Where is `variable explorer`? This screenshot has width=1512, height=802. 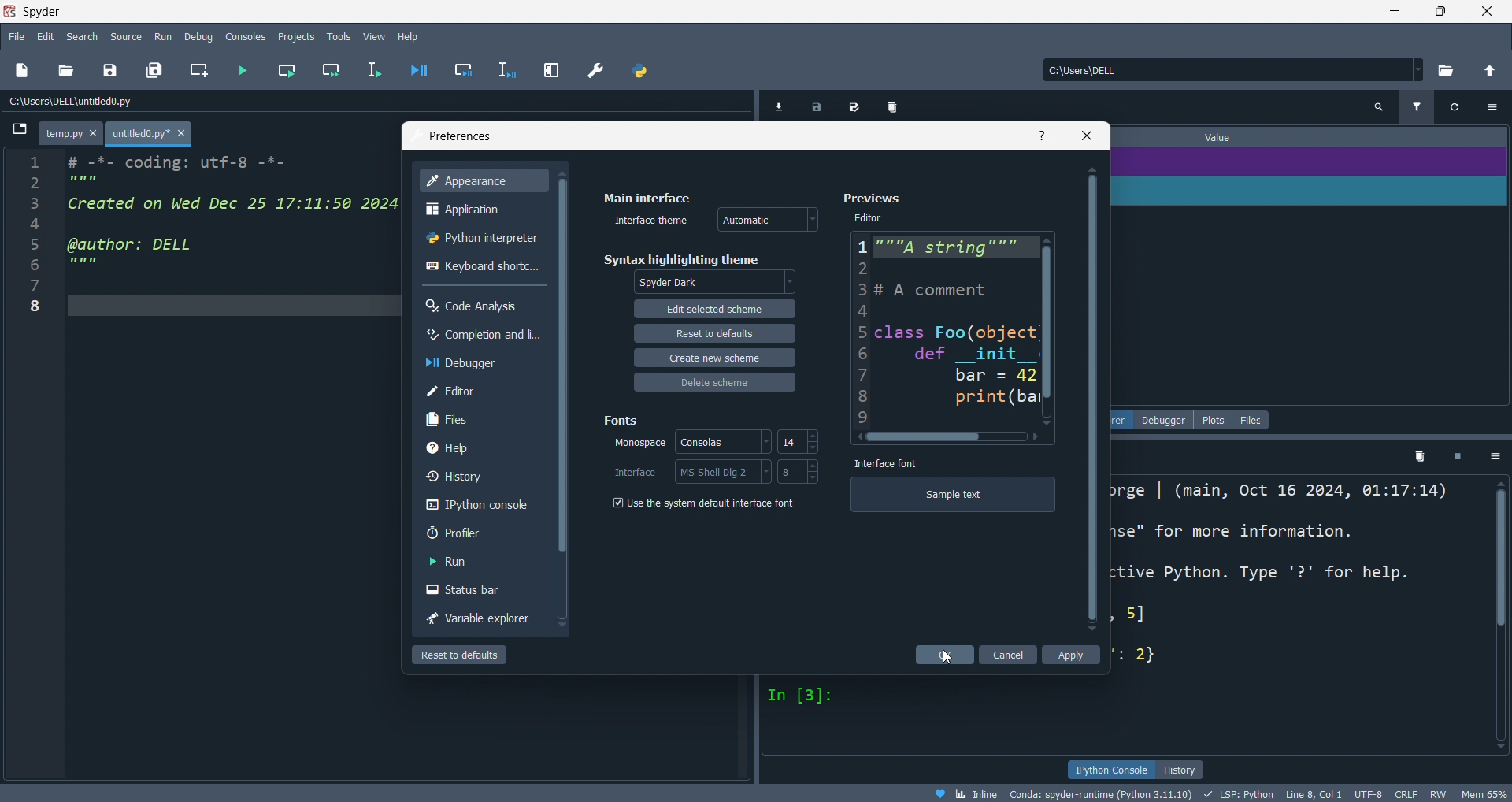 variable explorer is located at coordinates (480, 621).